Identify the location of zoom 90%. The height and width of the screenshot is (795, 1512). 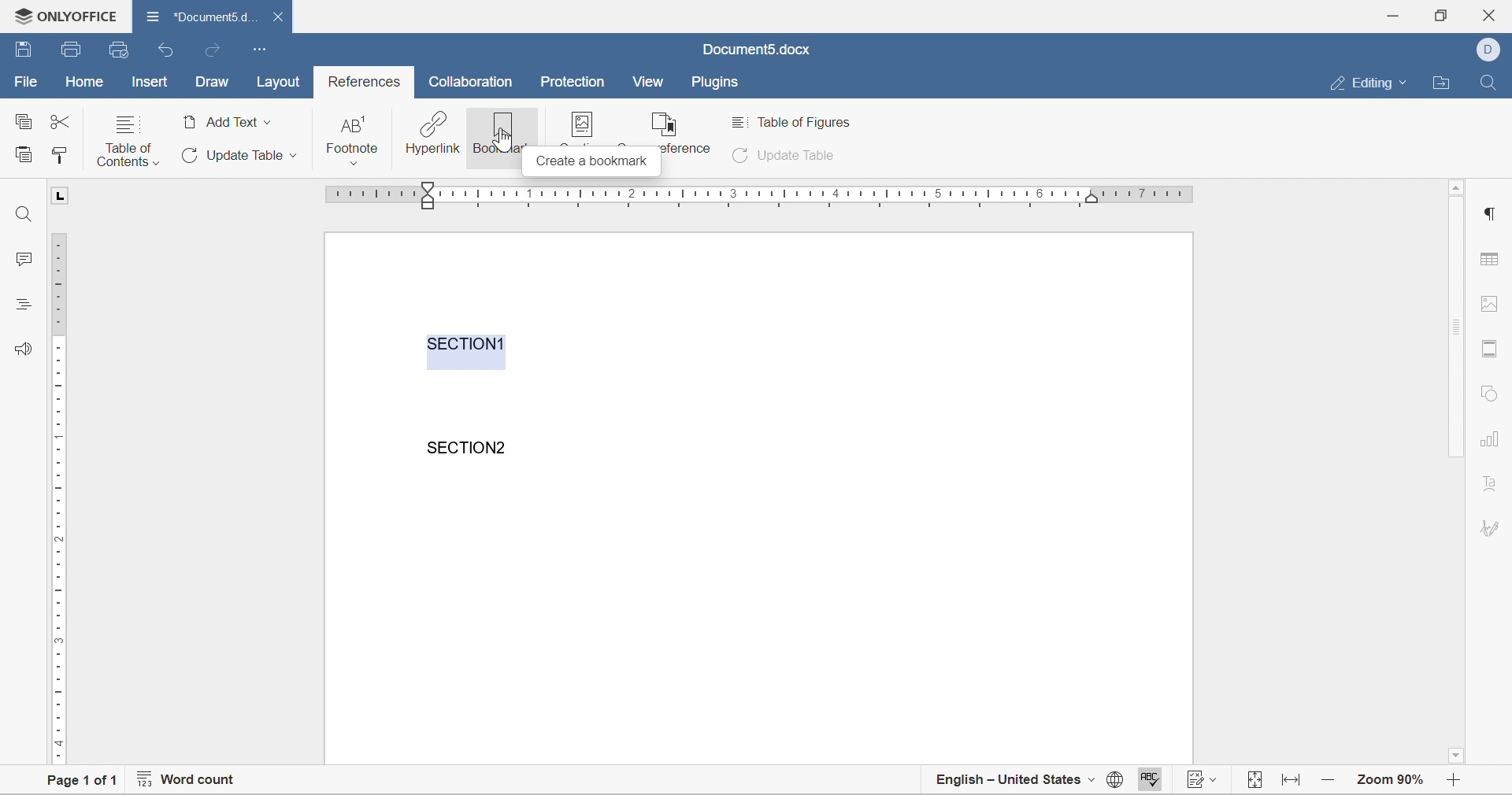
(1390, 778).